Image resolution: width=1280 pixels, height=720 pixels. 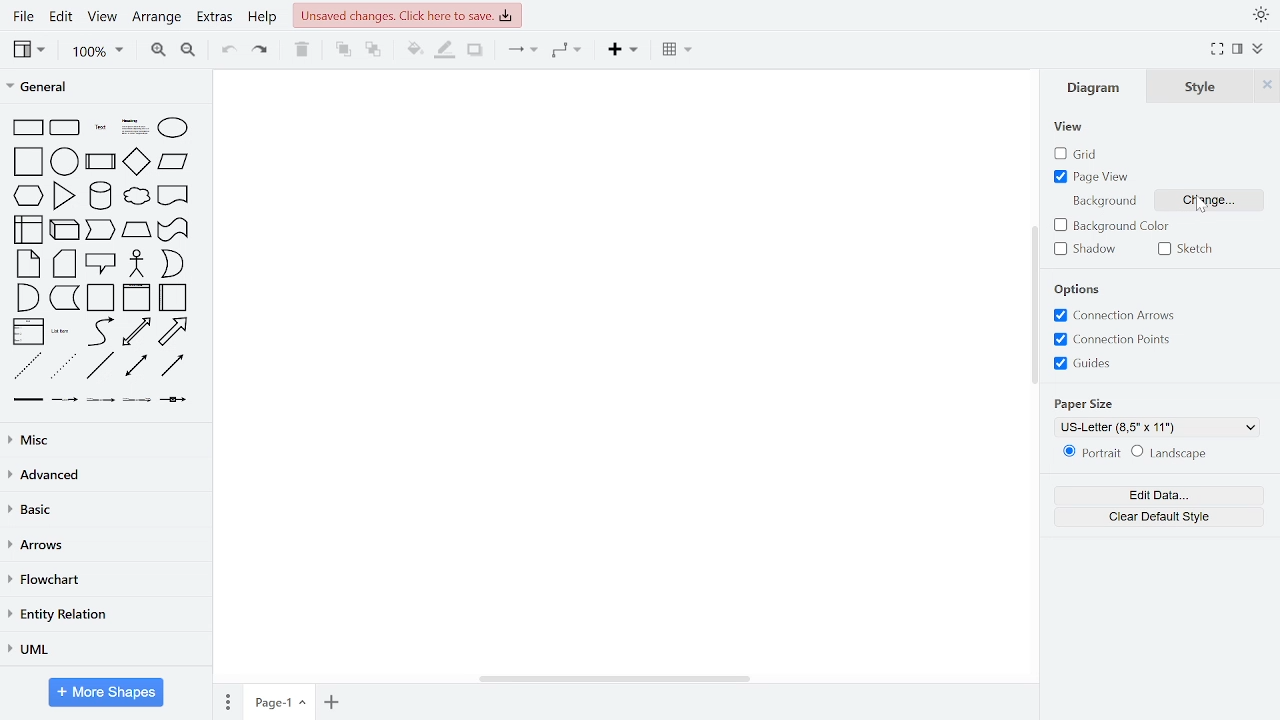 I want to click on general shapes, so click(x=63, y=400).